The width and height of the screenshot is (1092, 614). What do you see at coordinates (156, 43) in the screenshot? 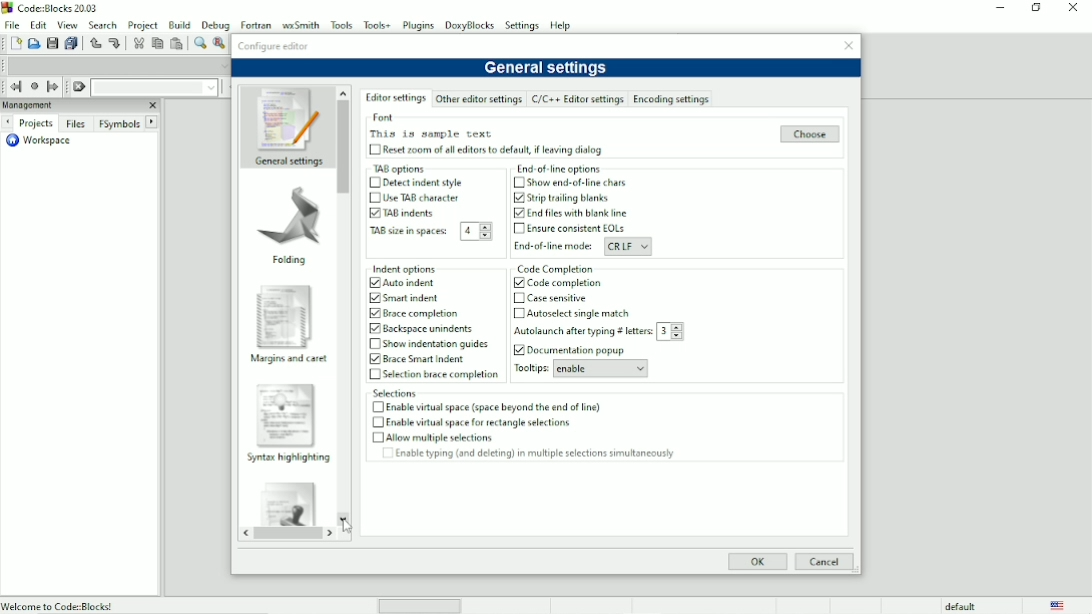
I see `Copy` at bounding box center [156, 43].